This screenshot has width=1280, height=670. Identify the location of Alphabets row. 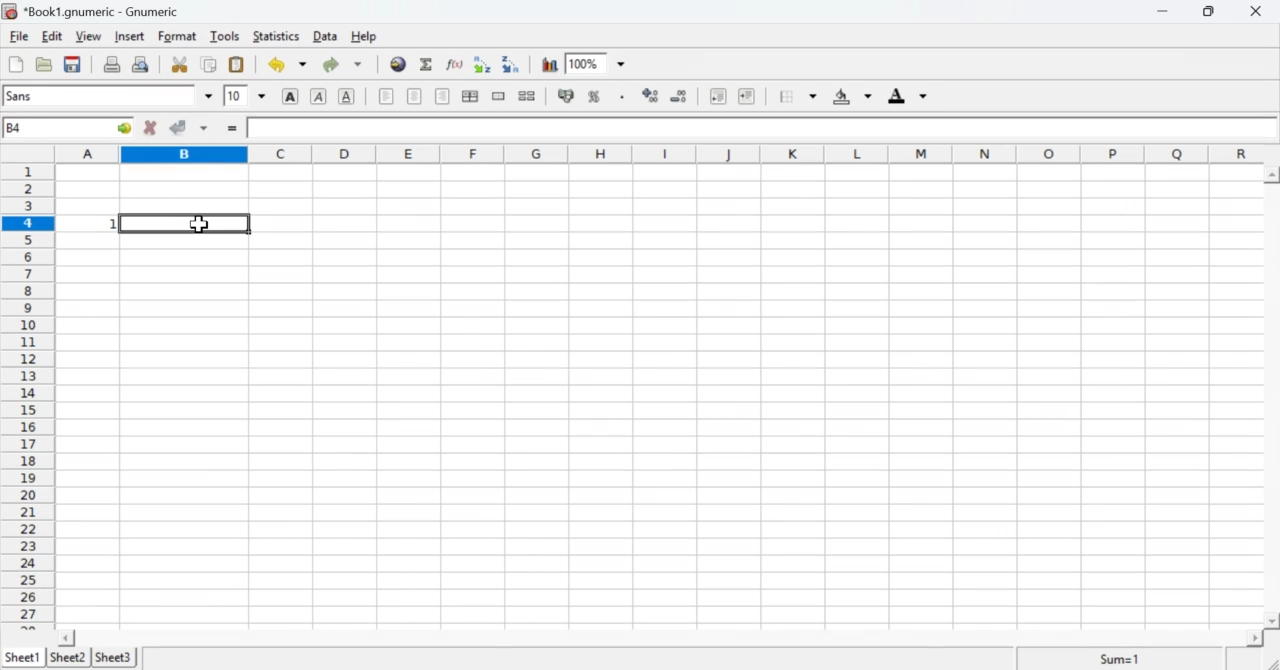
(661, 152).